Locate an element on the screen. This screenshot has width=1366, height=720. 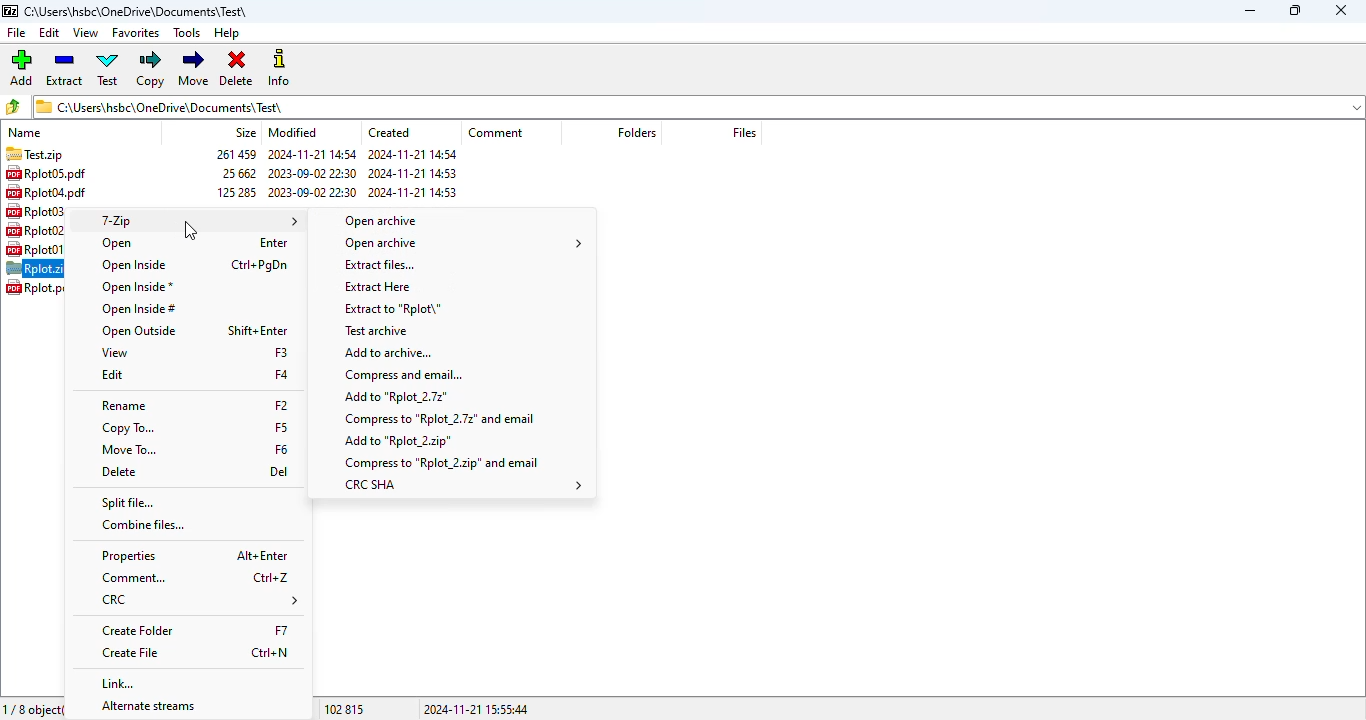
created is located at coordinates (389, 132).